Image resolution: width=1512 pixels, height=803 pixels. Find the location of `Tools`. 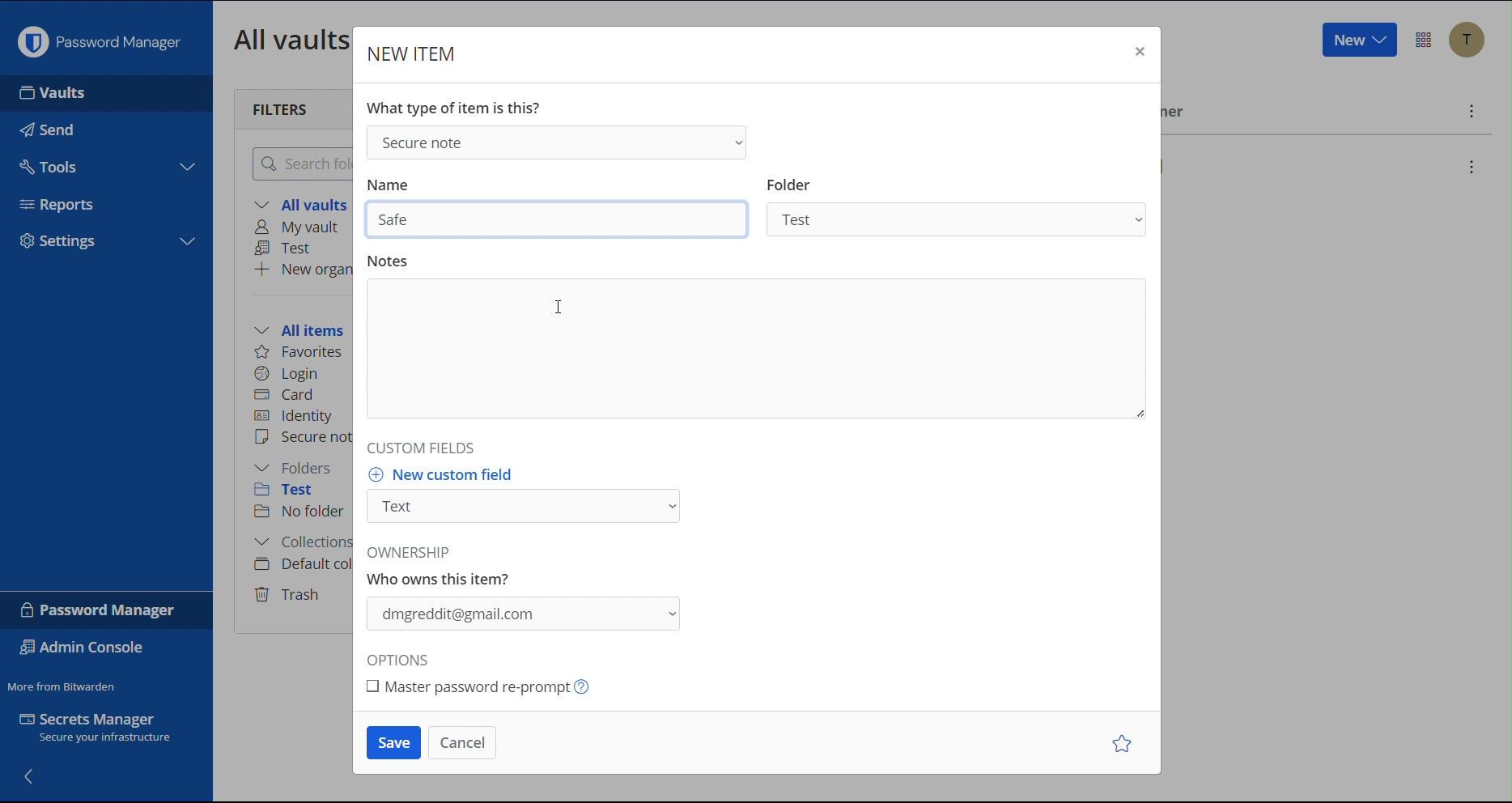

Tools is located at coordinates (106, 163).